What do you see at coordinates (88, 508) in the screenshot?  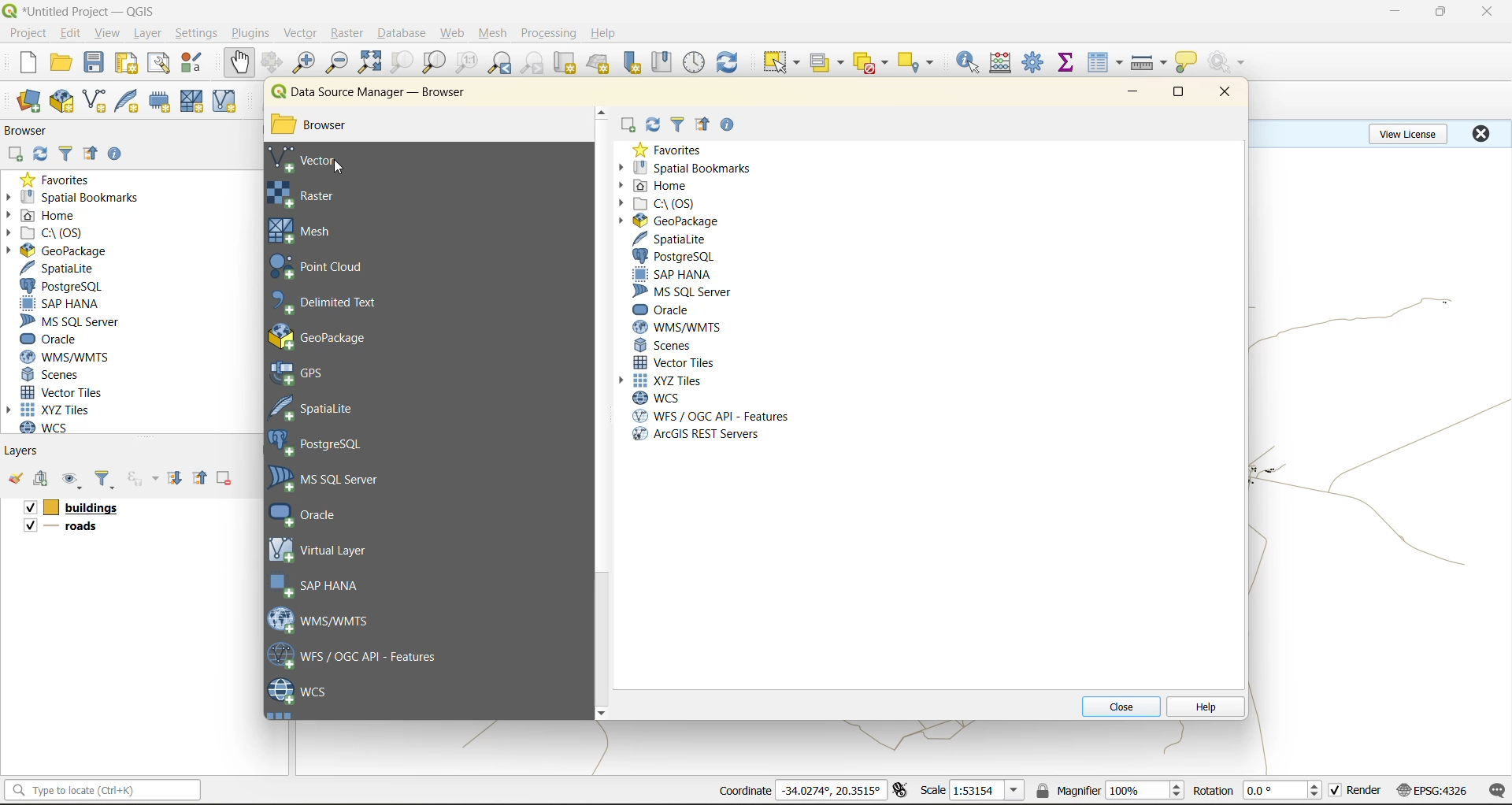 I see `layers` at bounding box center [88, 508].